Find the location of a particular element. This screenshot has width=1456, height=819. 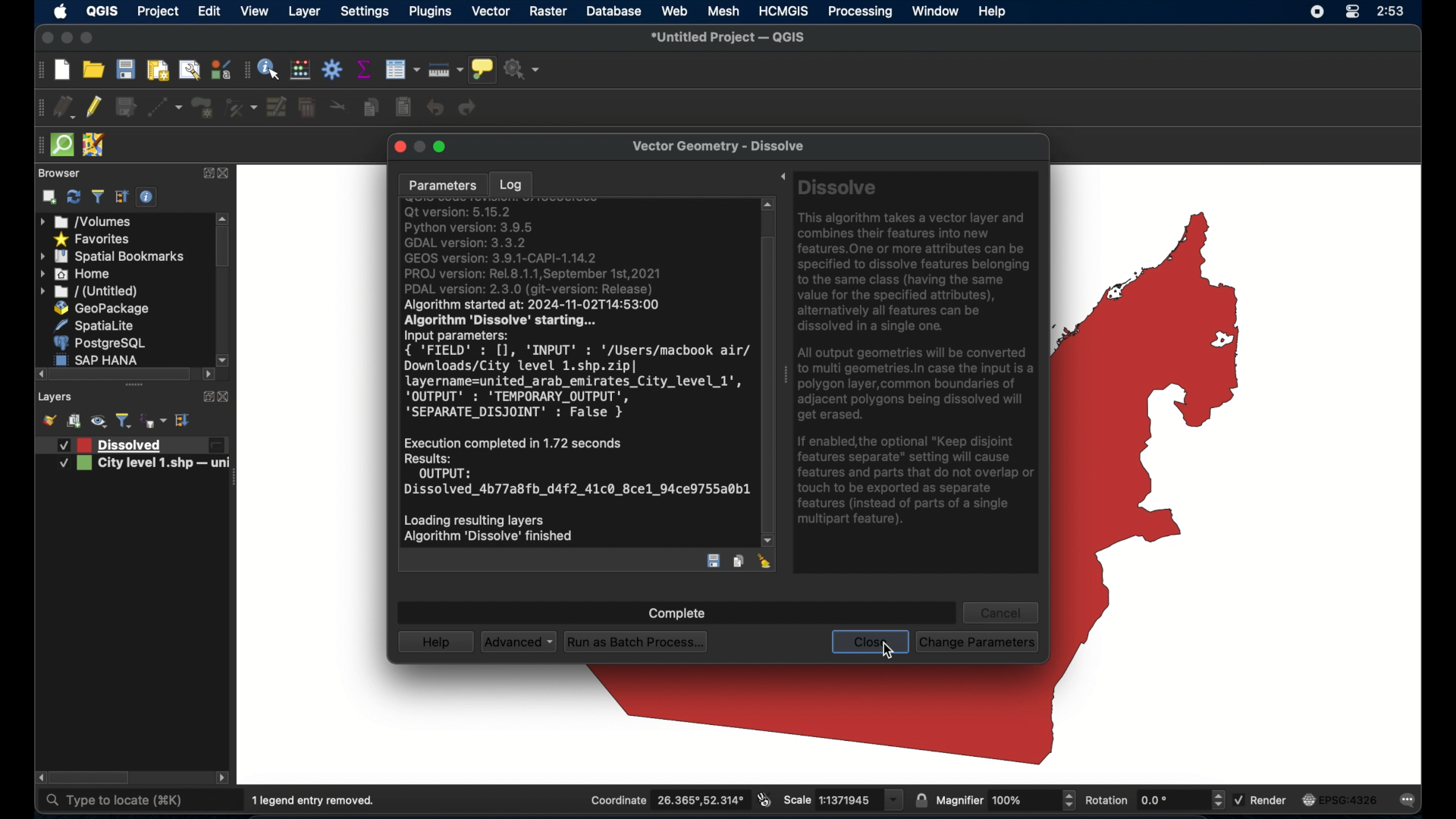

current edits is located at coordinates (64, 107).